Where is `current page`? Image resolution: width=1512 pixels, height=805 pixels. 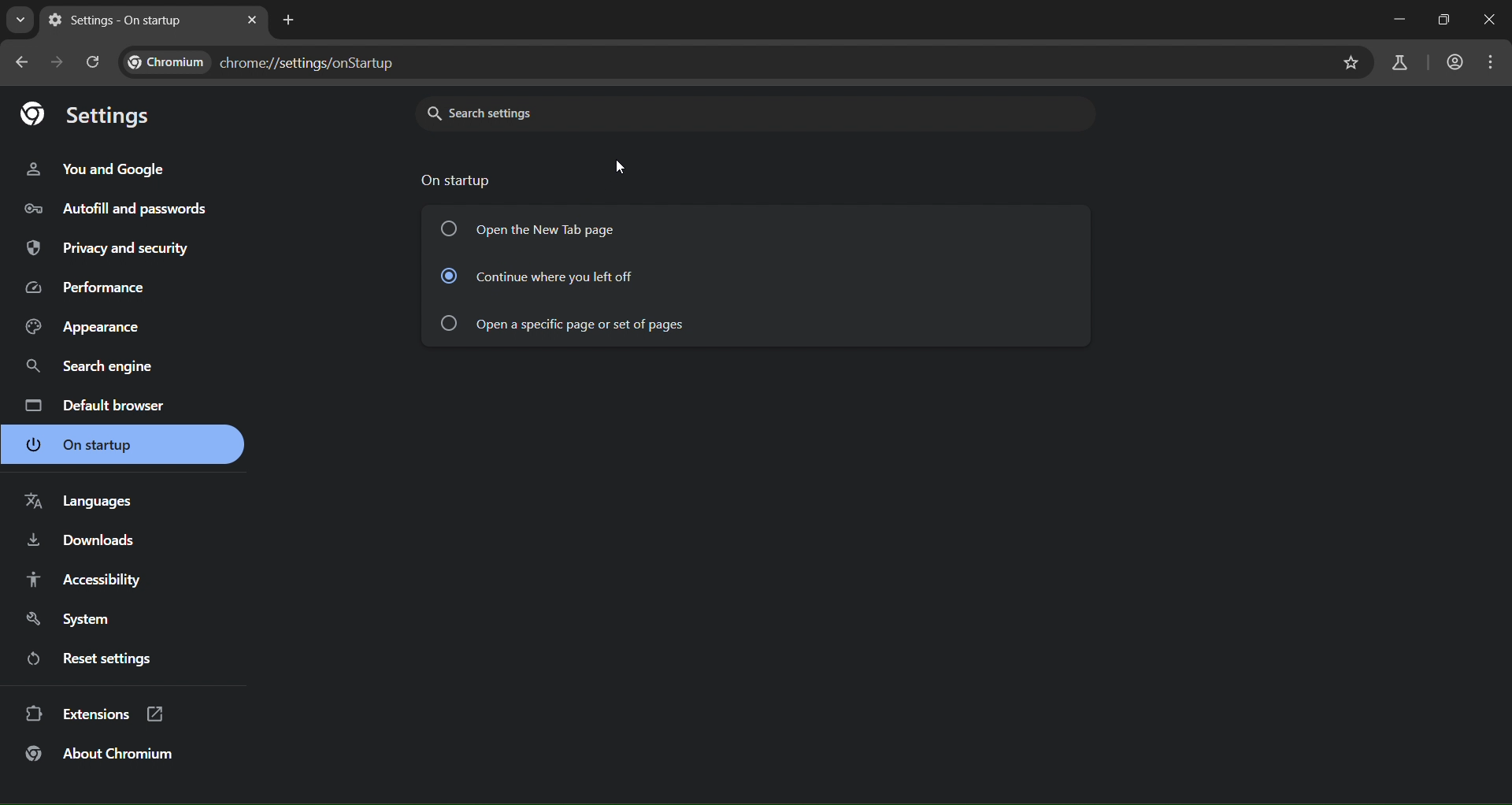 current page is located at coordinates (115, 20).